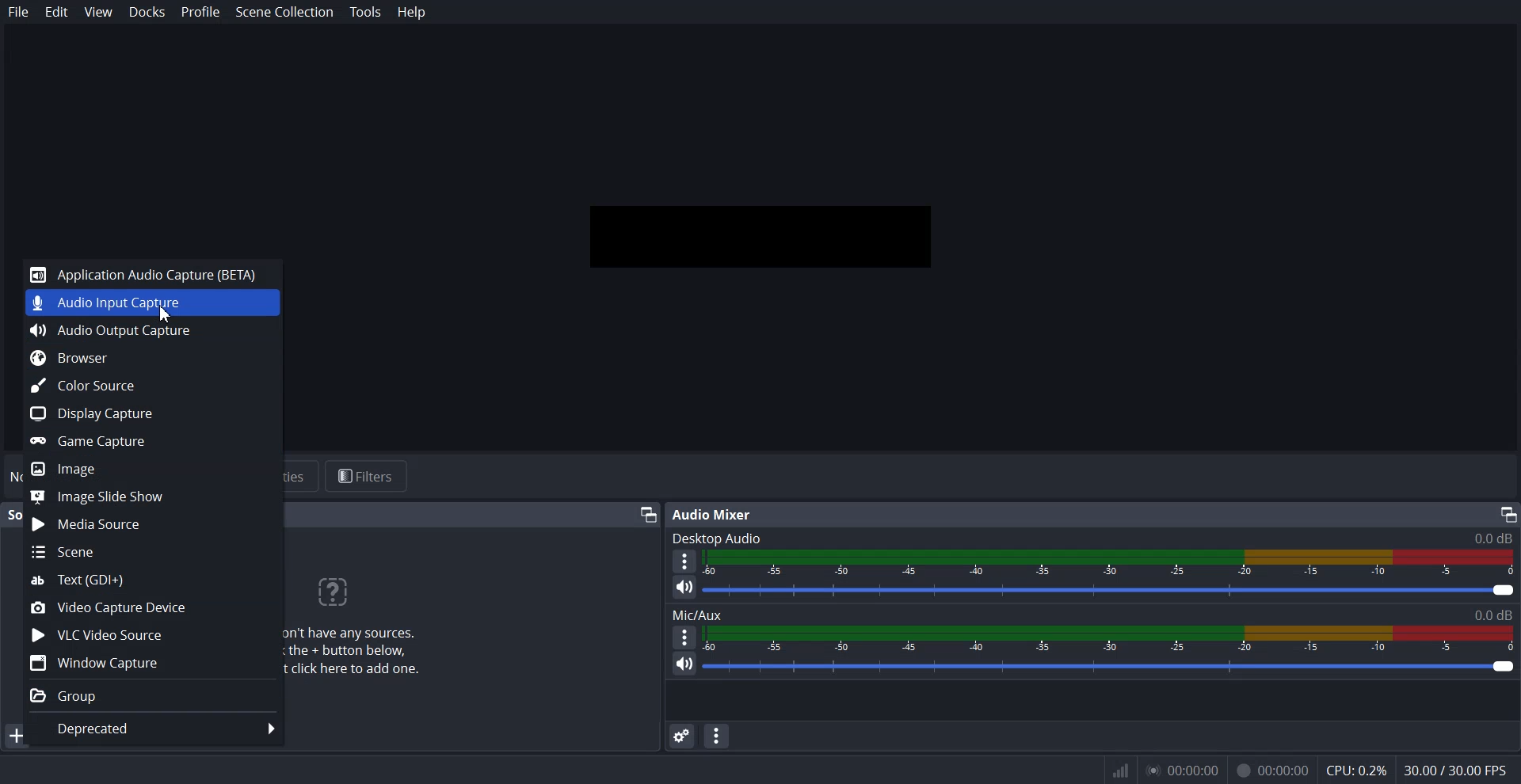  What do you see at coordinates (761, 236) in the screenshot?
I see `Preview window` at bounding box center [761, 236].